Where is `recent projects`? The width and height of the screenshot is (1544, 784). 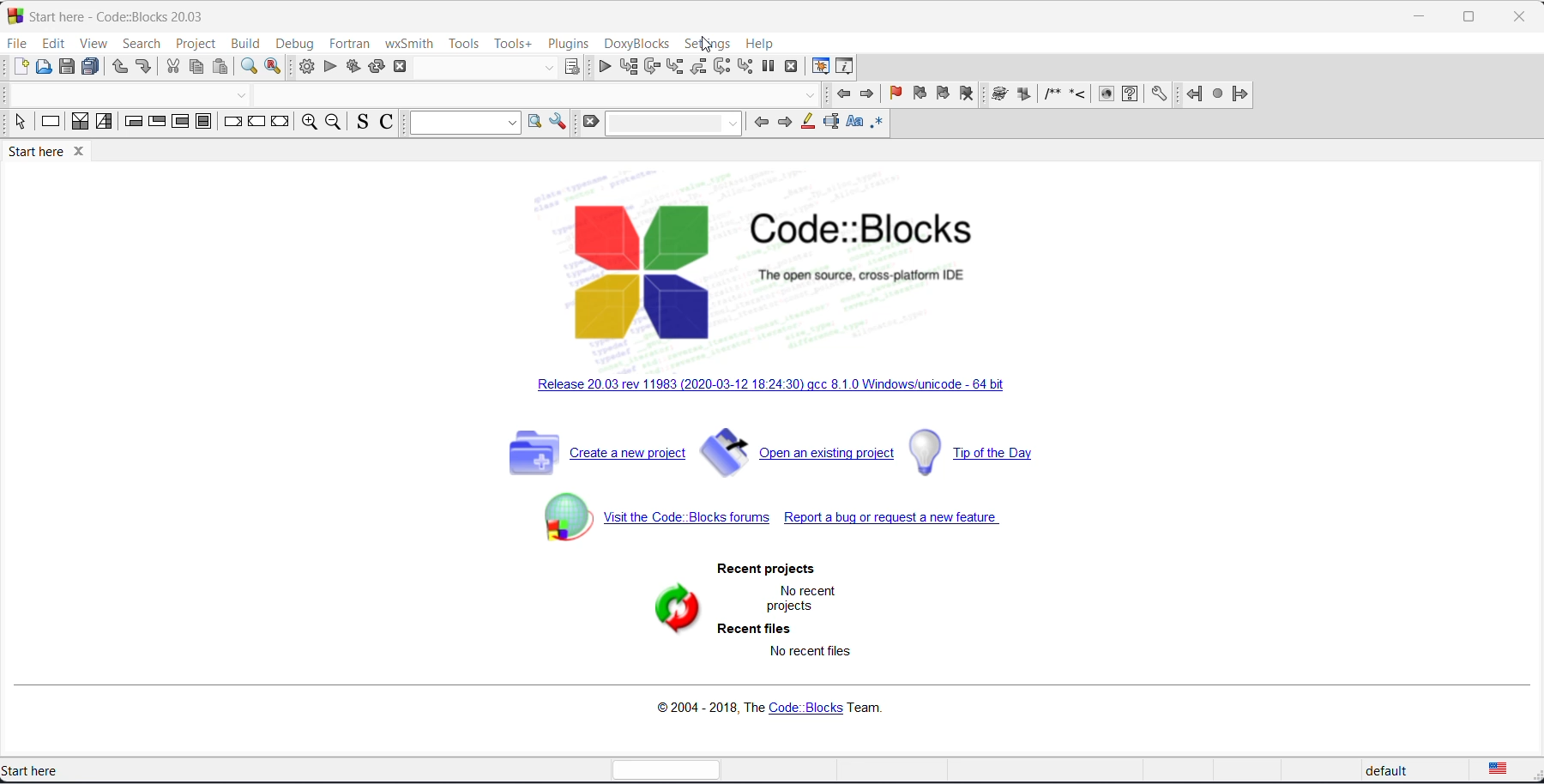 recent projects is located at coordinates (767, 569).